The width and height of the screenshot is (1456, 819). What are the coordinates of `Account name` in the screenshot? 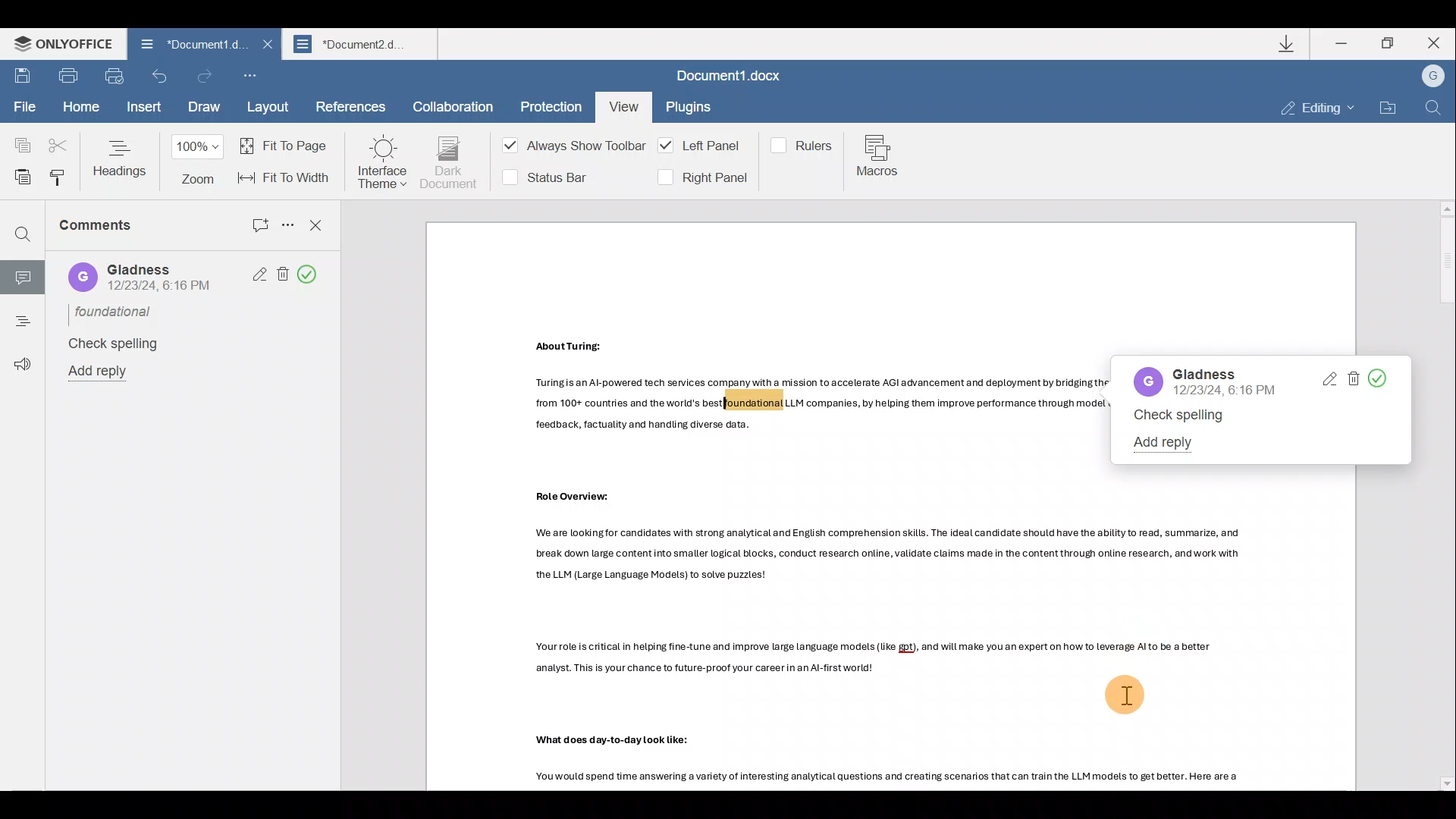 It's located at (1432, 77).